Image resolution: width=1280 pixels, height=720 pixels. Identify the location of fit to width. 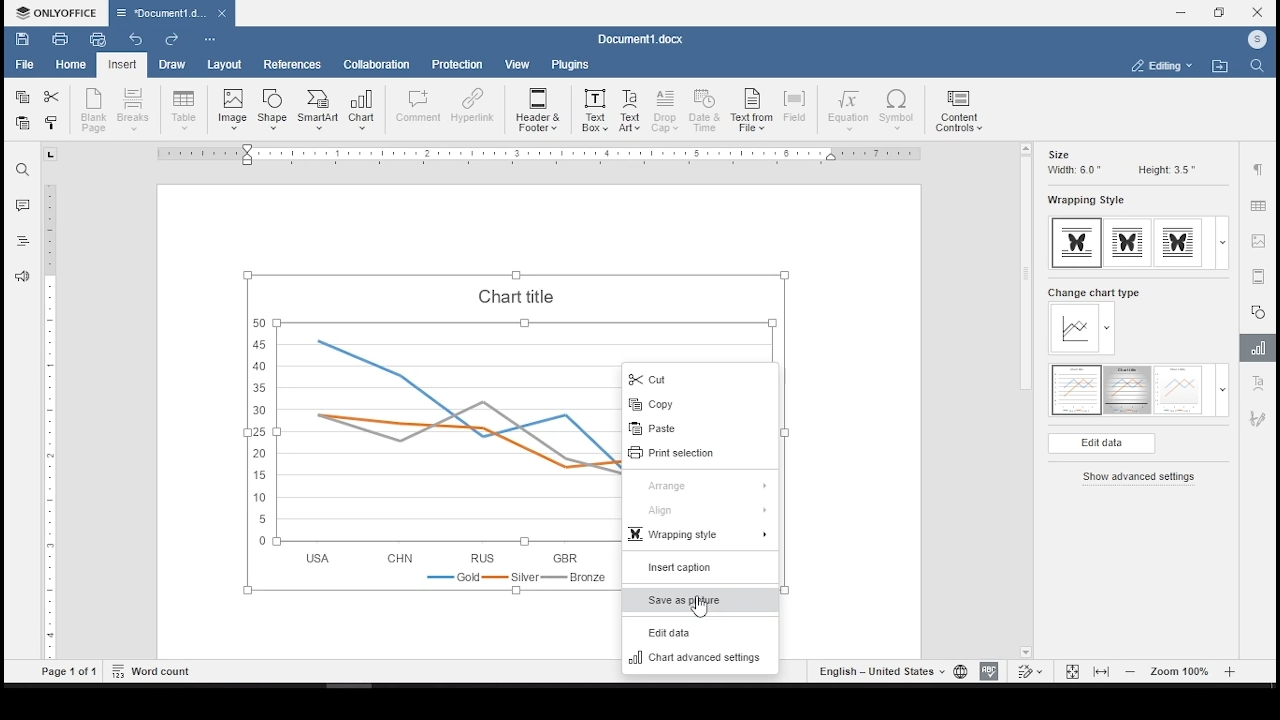
(1104, 670).